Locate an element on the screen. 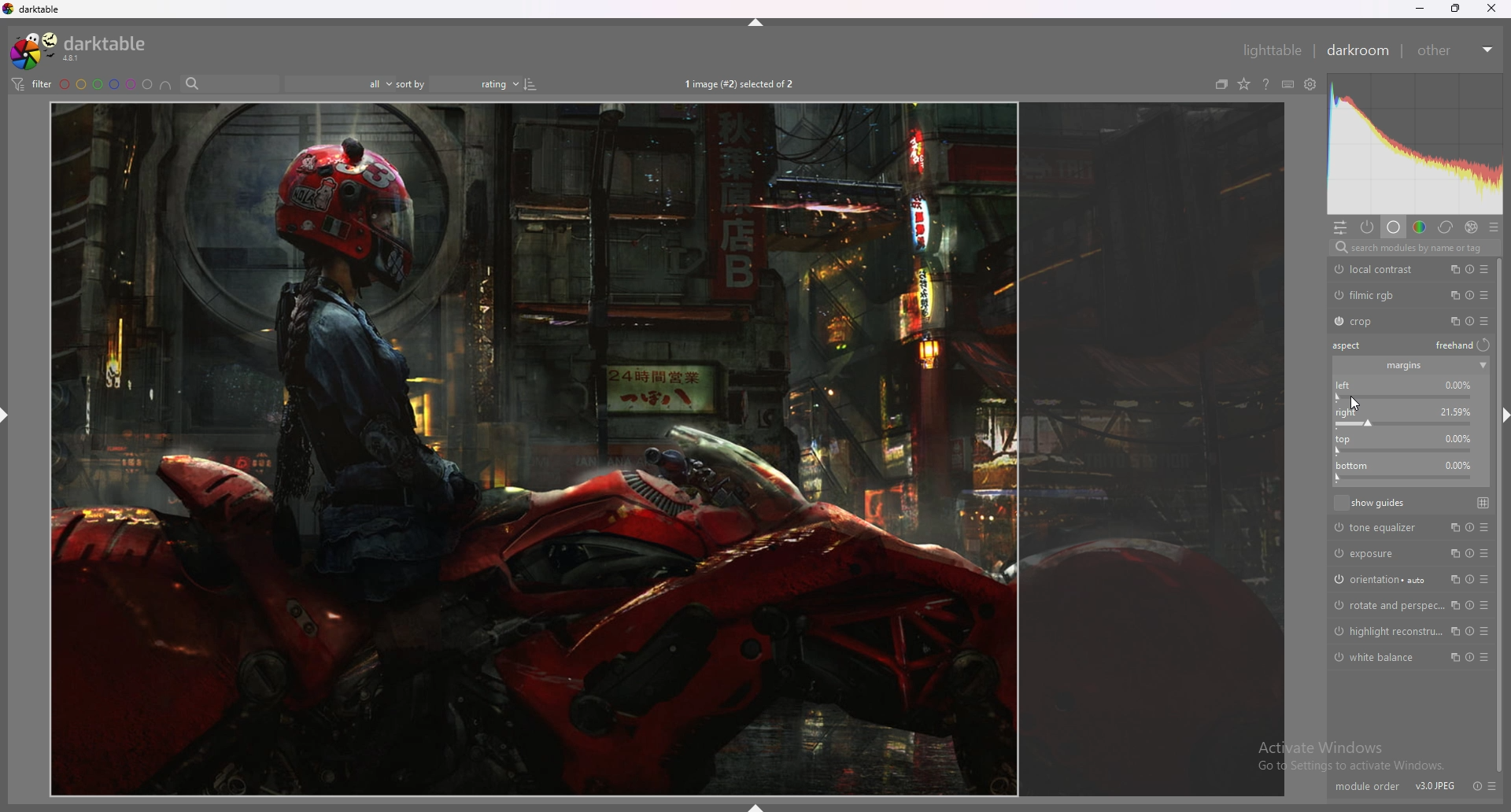  1 image (#2) selected of 2 is located at coordinates (741, 83).